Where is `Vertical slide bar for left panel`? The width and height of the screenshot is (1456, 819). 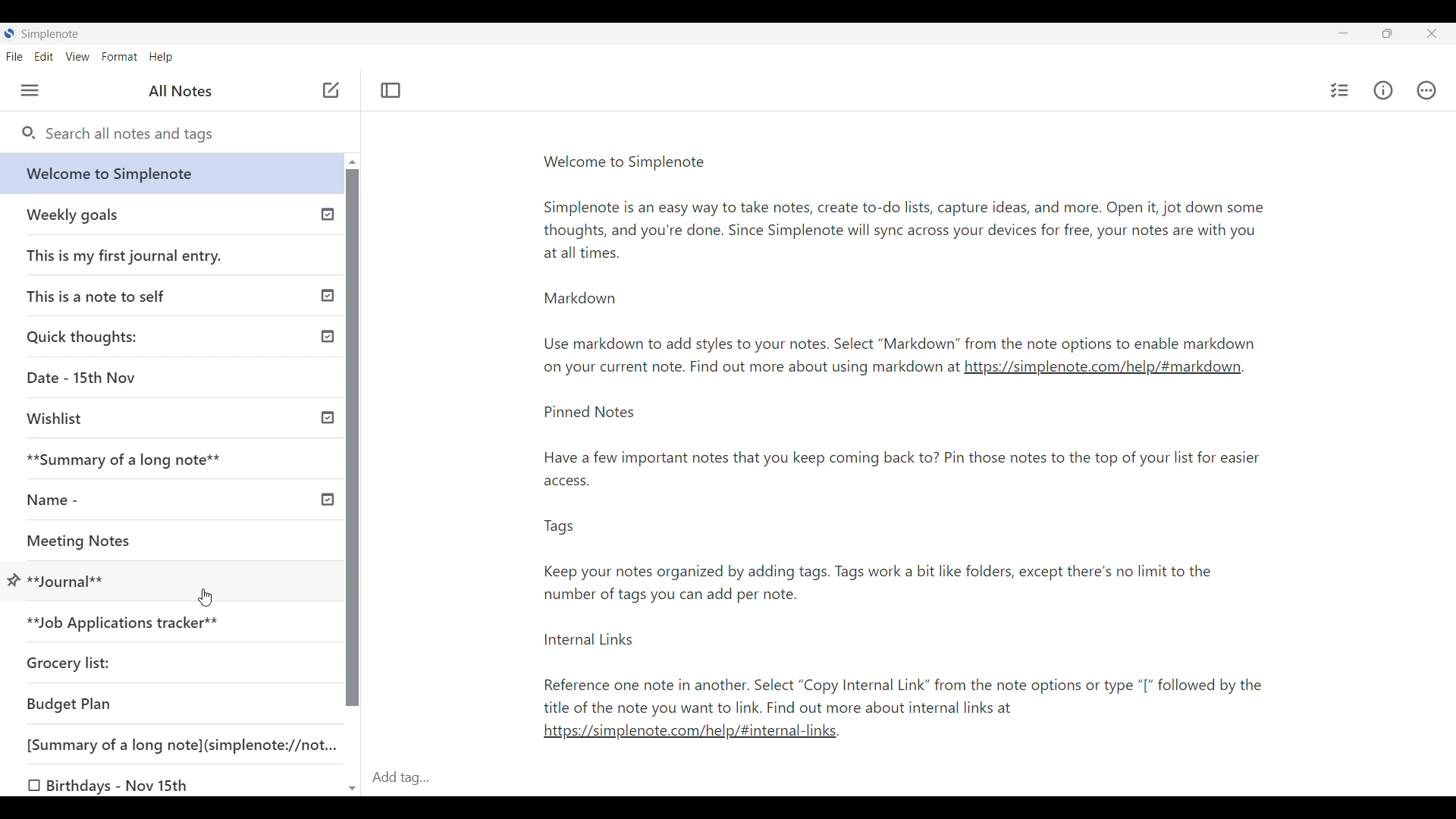 Vertical slide bar for left panel is located at coordinates (353, 438).